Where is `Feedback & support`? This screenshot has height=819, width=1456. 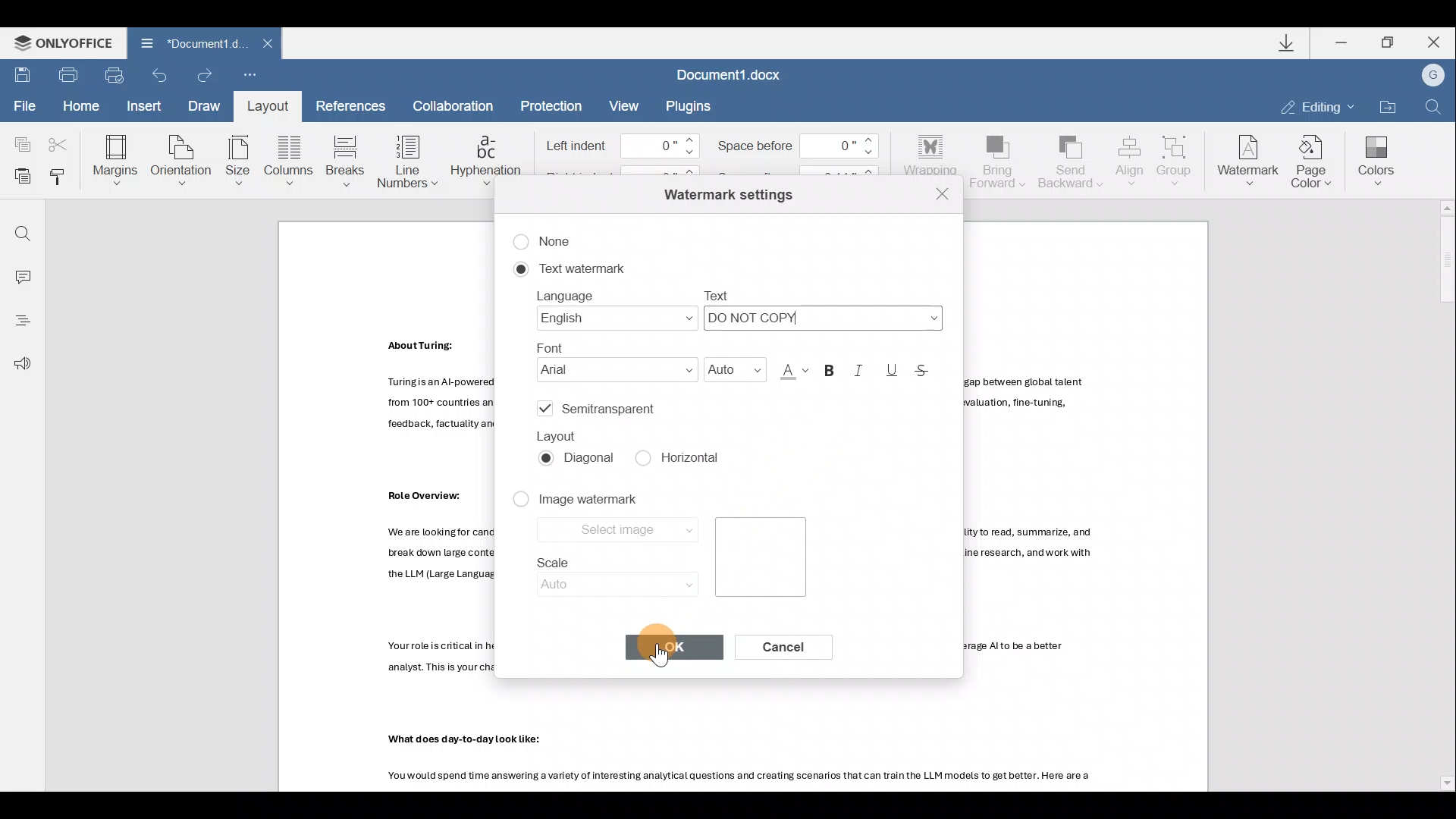 Feedback & support is located at coordinates (21, 365).